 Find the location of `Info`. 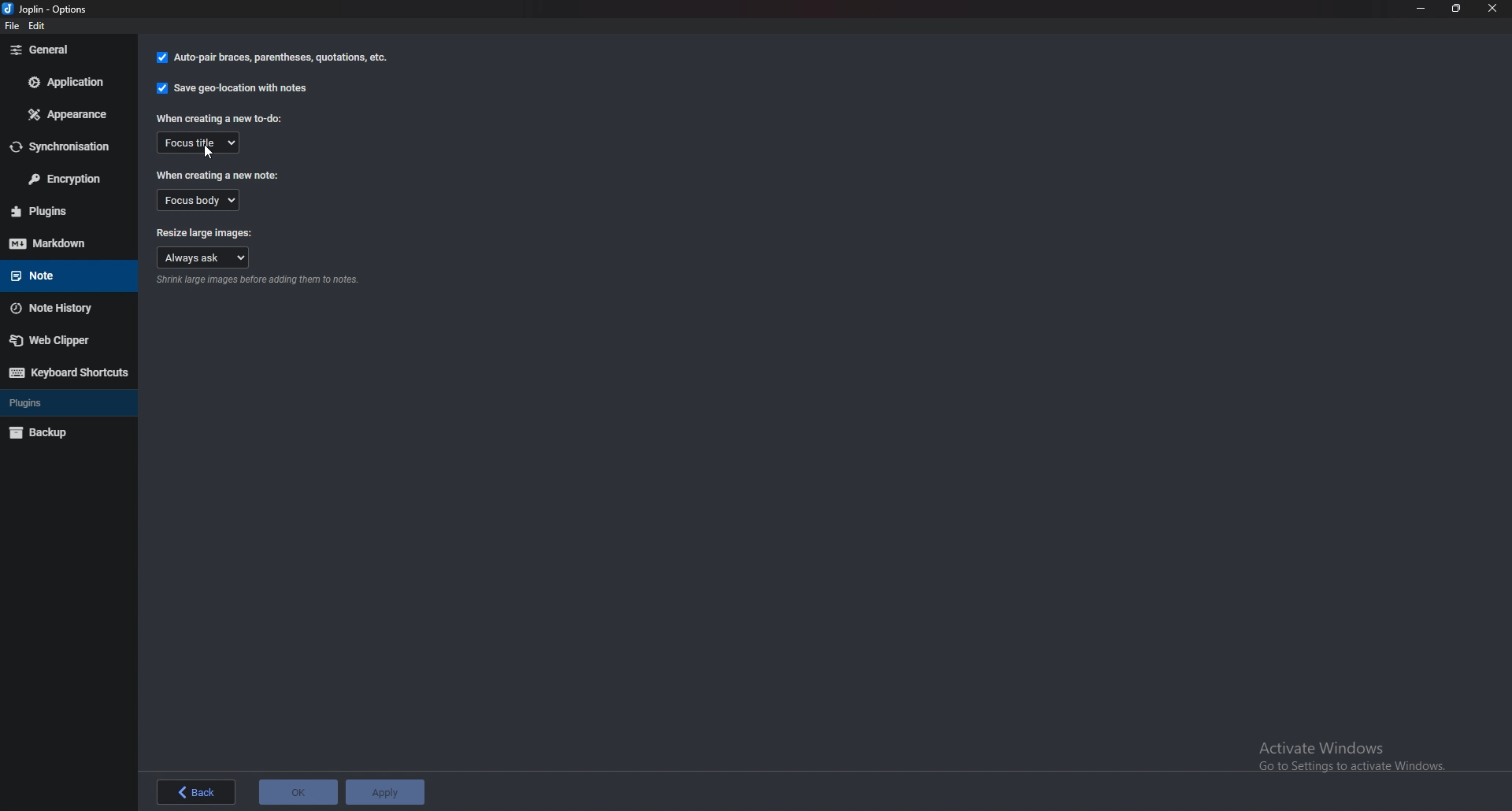

Info is located at coordinates (261, 280).